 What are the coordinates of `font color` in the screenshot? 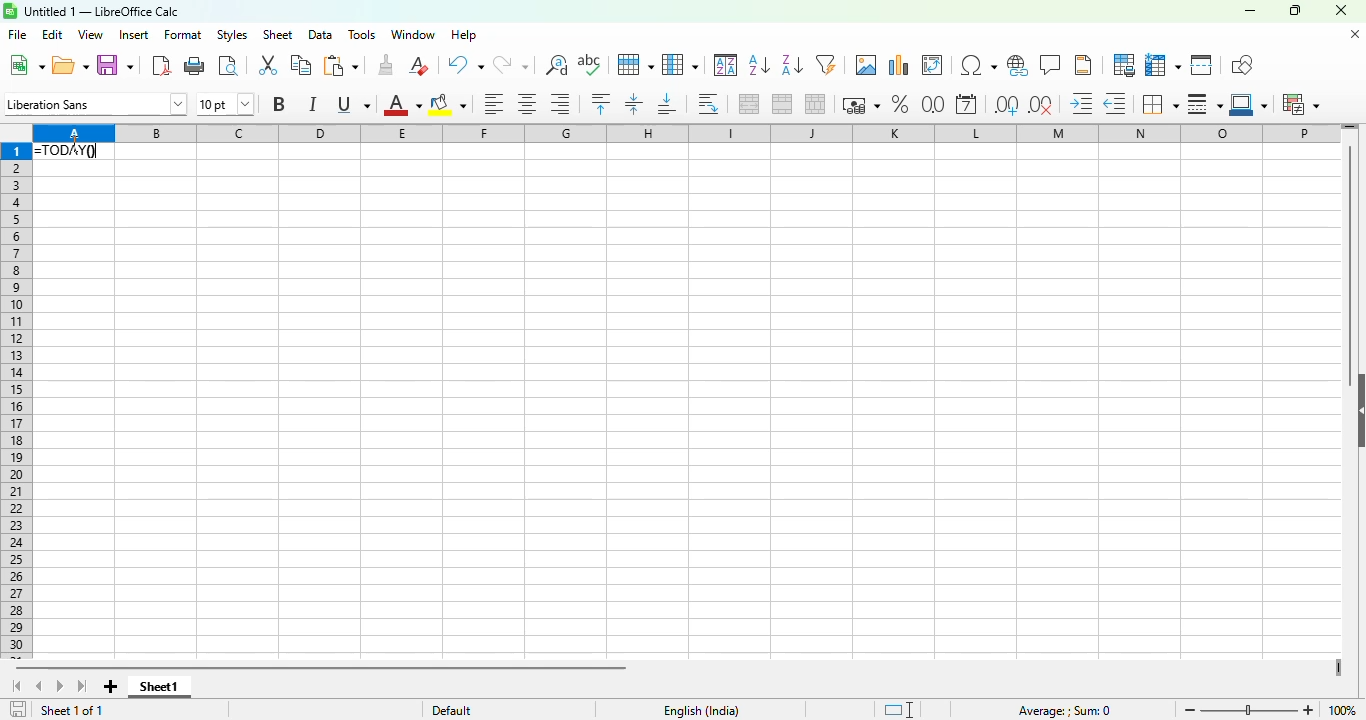 It's located at (402, 105).